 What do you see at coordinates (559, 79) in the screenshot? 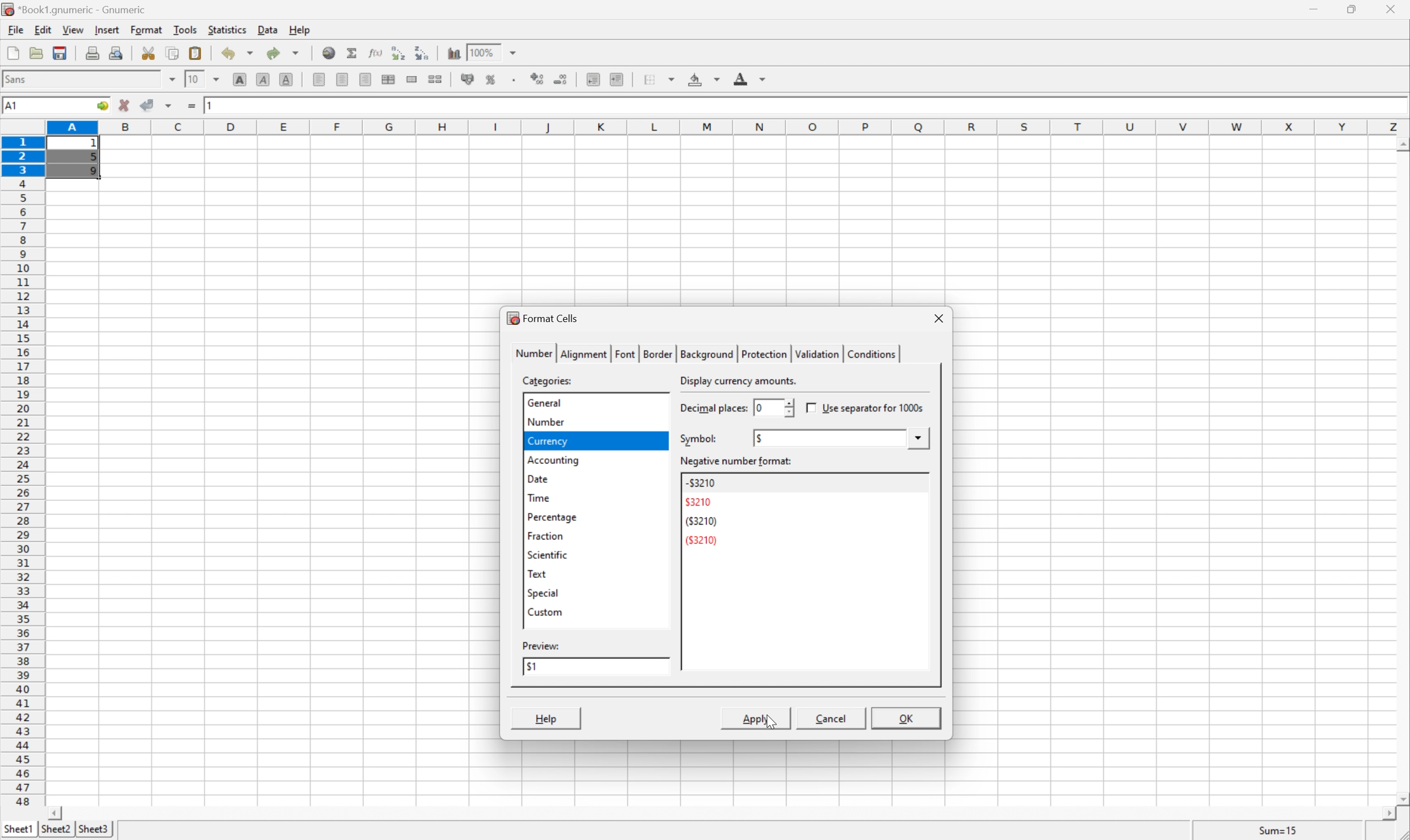
I see `decrease number of decimals displayed` at bounding box center [559, 79].